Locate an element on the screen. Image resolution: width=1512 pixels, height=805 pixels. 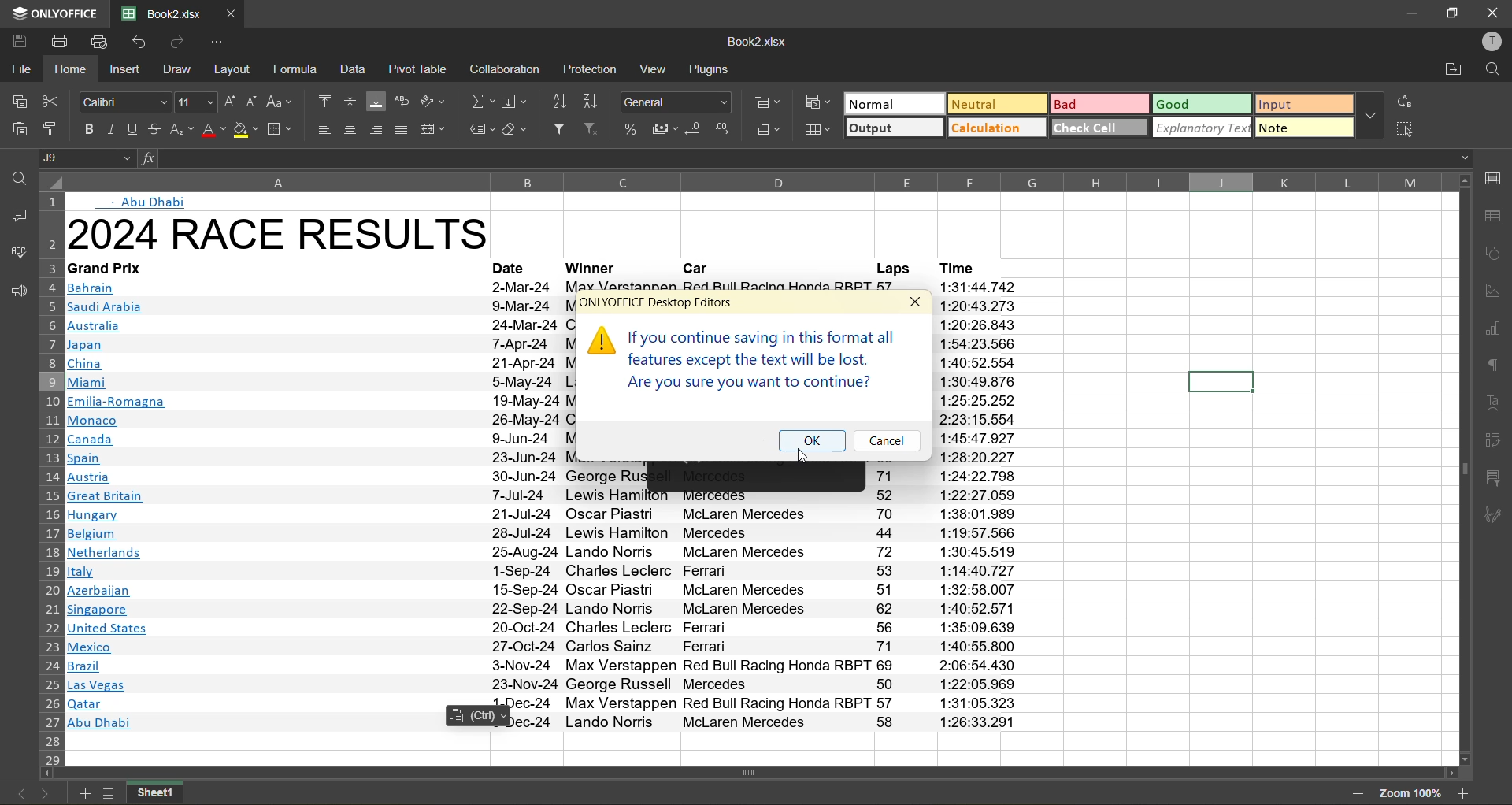
paste is located at coordinates (18, 129).